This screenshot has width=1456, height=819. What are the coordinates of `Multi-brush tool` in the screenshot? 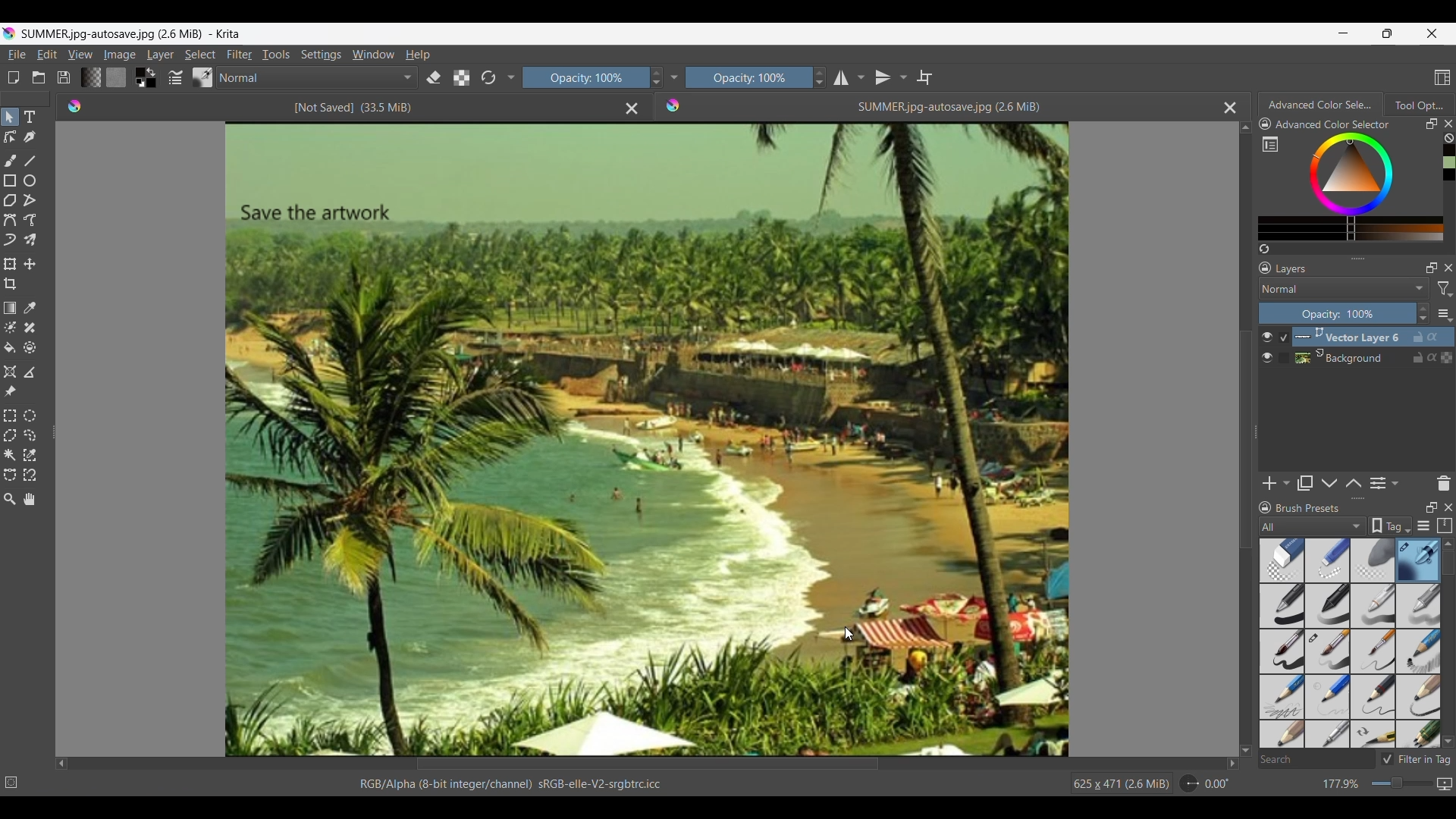 It's located at (30, 240).